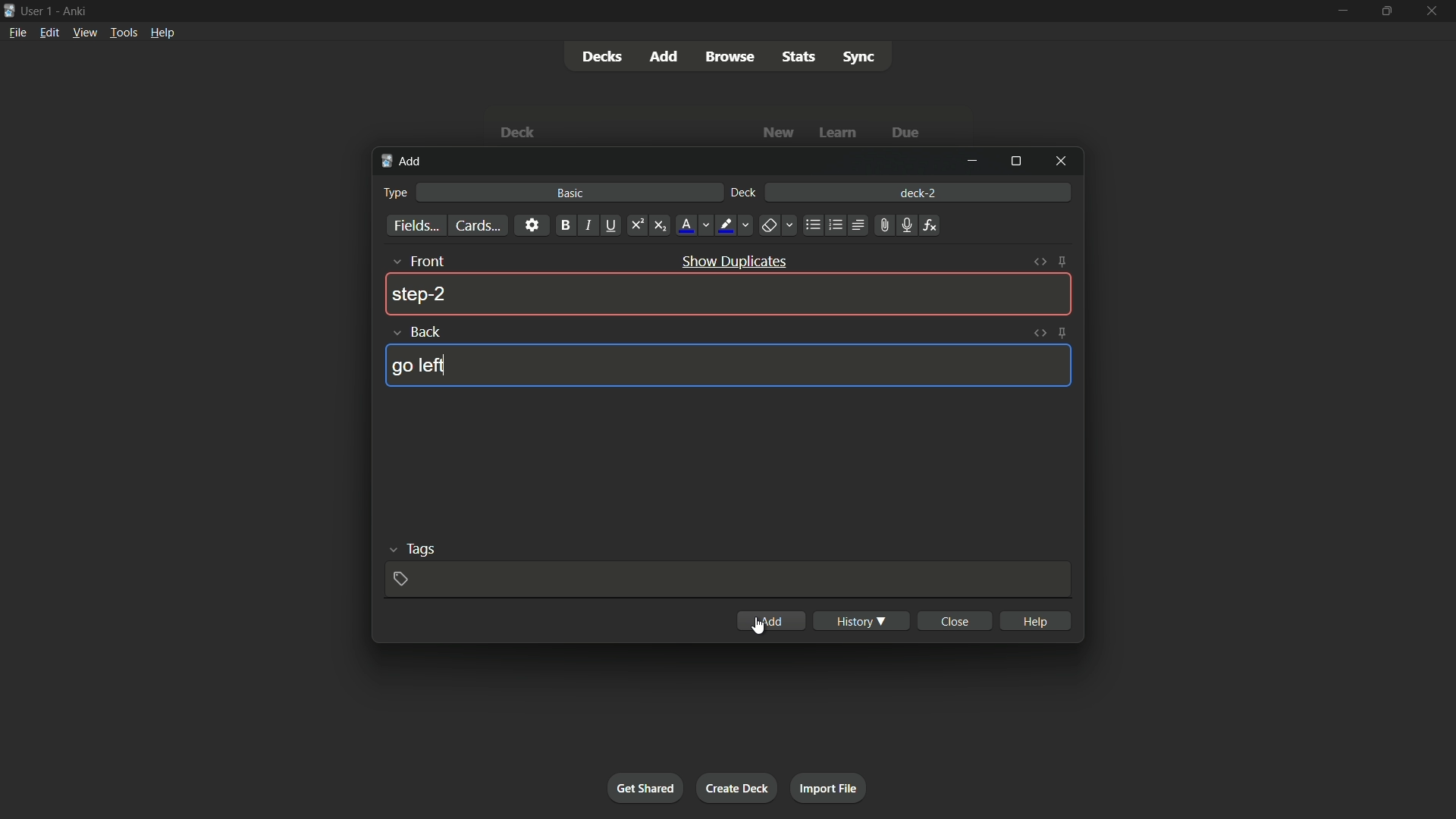 This screenshot has height=819, width=1456. What do you see at coordinates (662, 56) in the screenshot?
I see `add` at bounding box center [662, 56].